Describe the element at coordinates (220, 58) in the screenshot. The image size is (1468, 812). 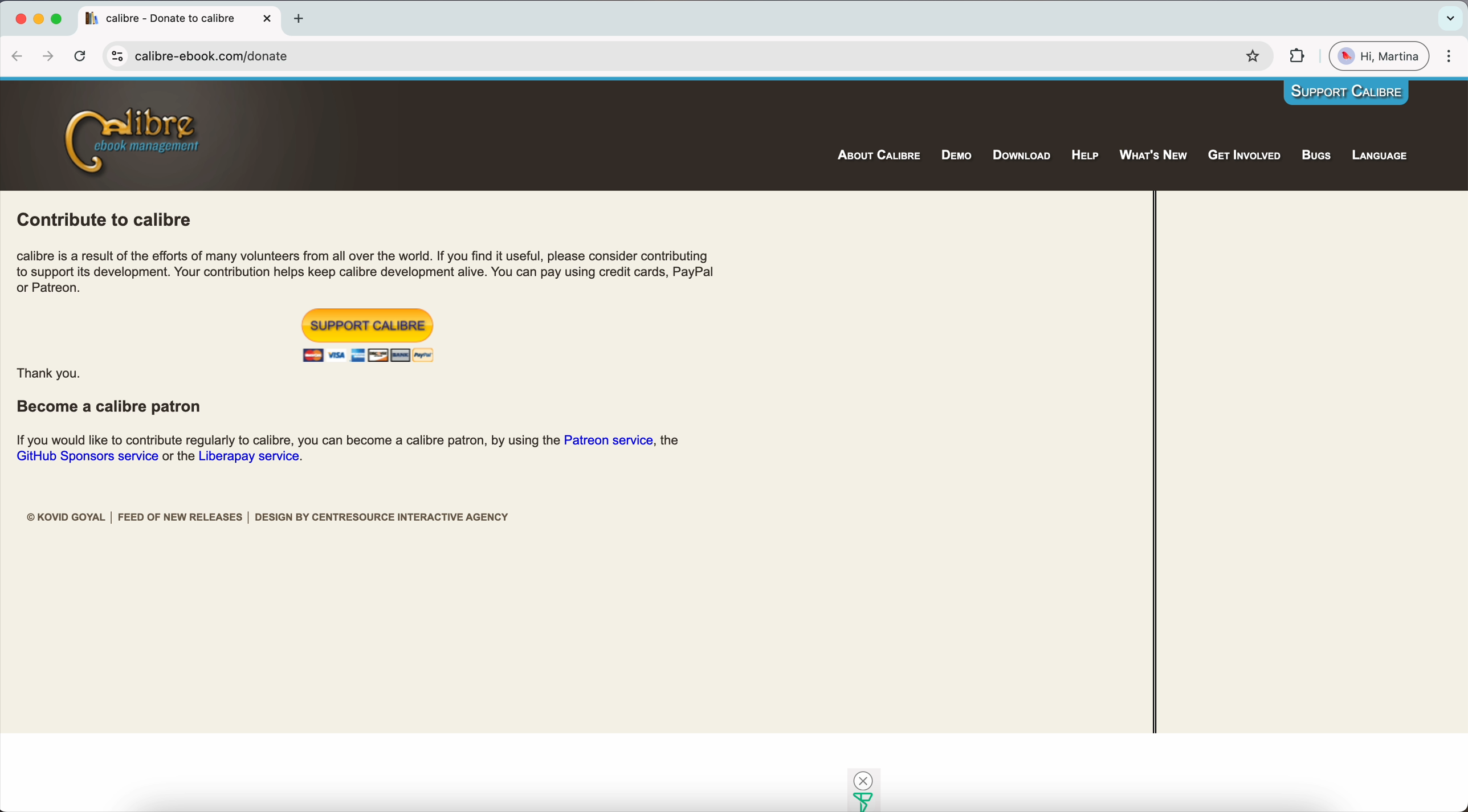
I see `calibre-ebook.com/donate` at that location.